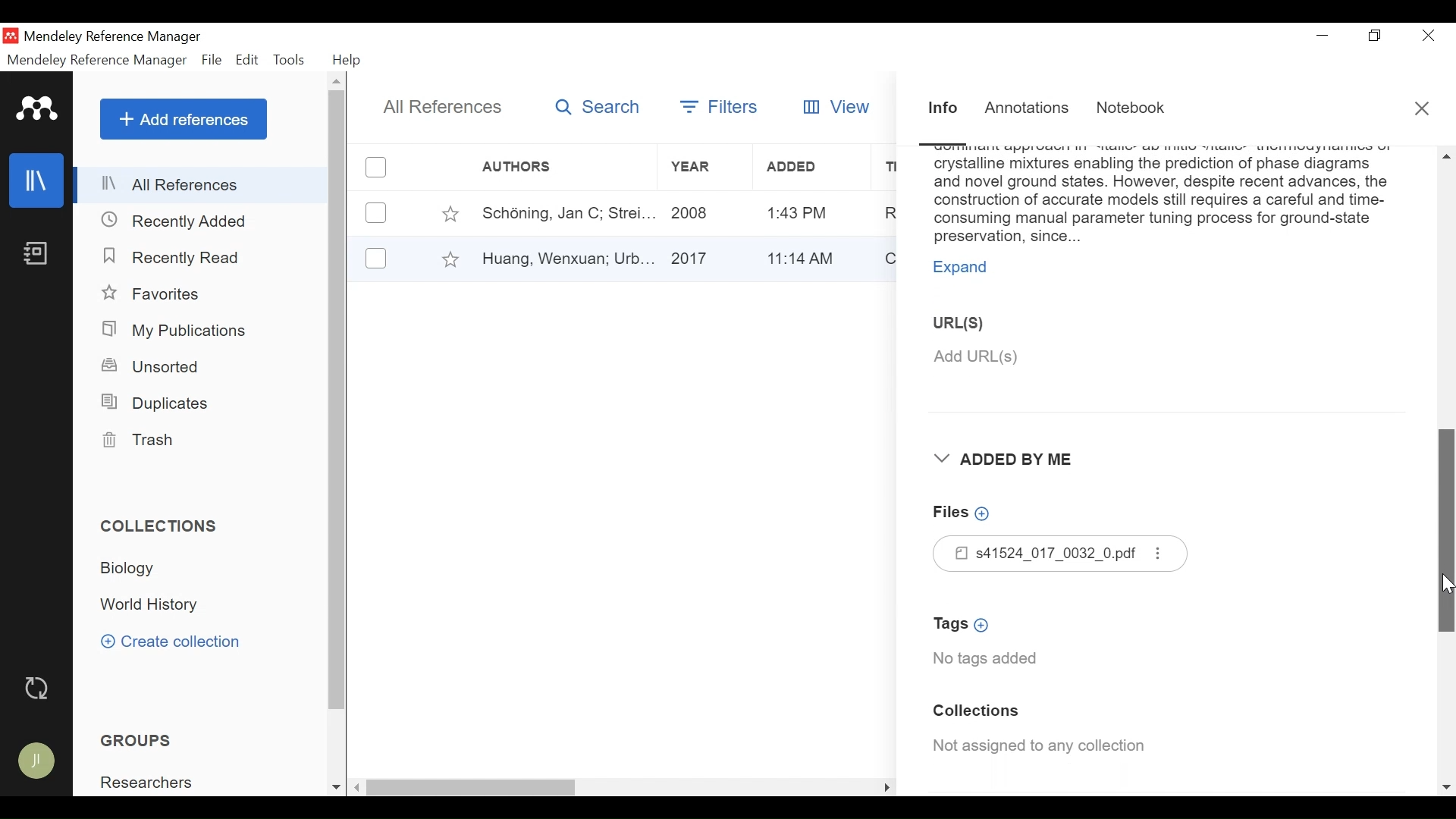  What do you see at coordinates (1134, 108) in the screenshot?
I see `Notebook` at bounding box center [1134, 108].